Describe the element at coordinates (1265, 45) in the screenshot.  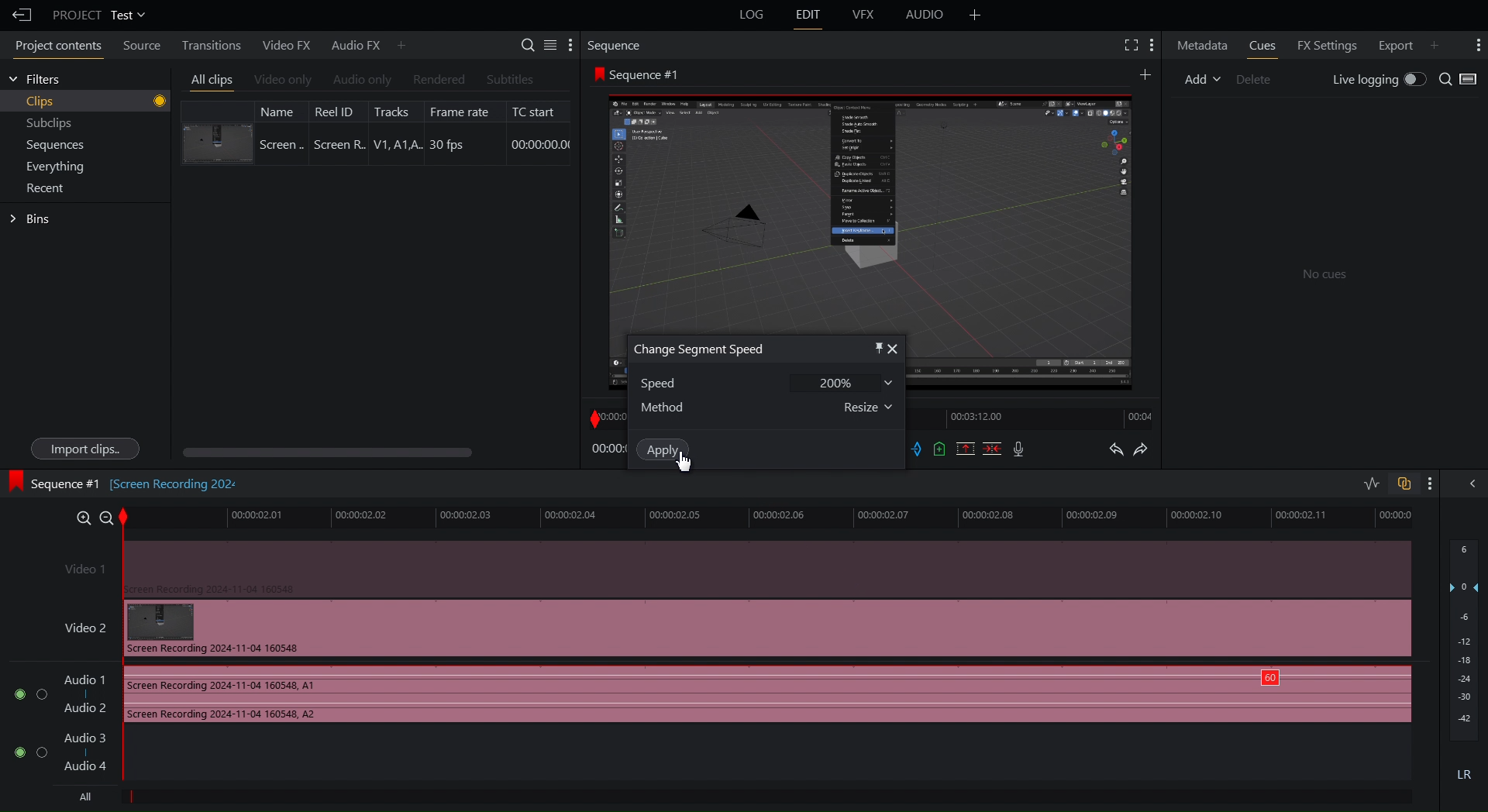
I see `Cues` at that location.